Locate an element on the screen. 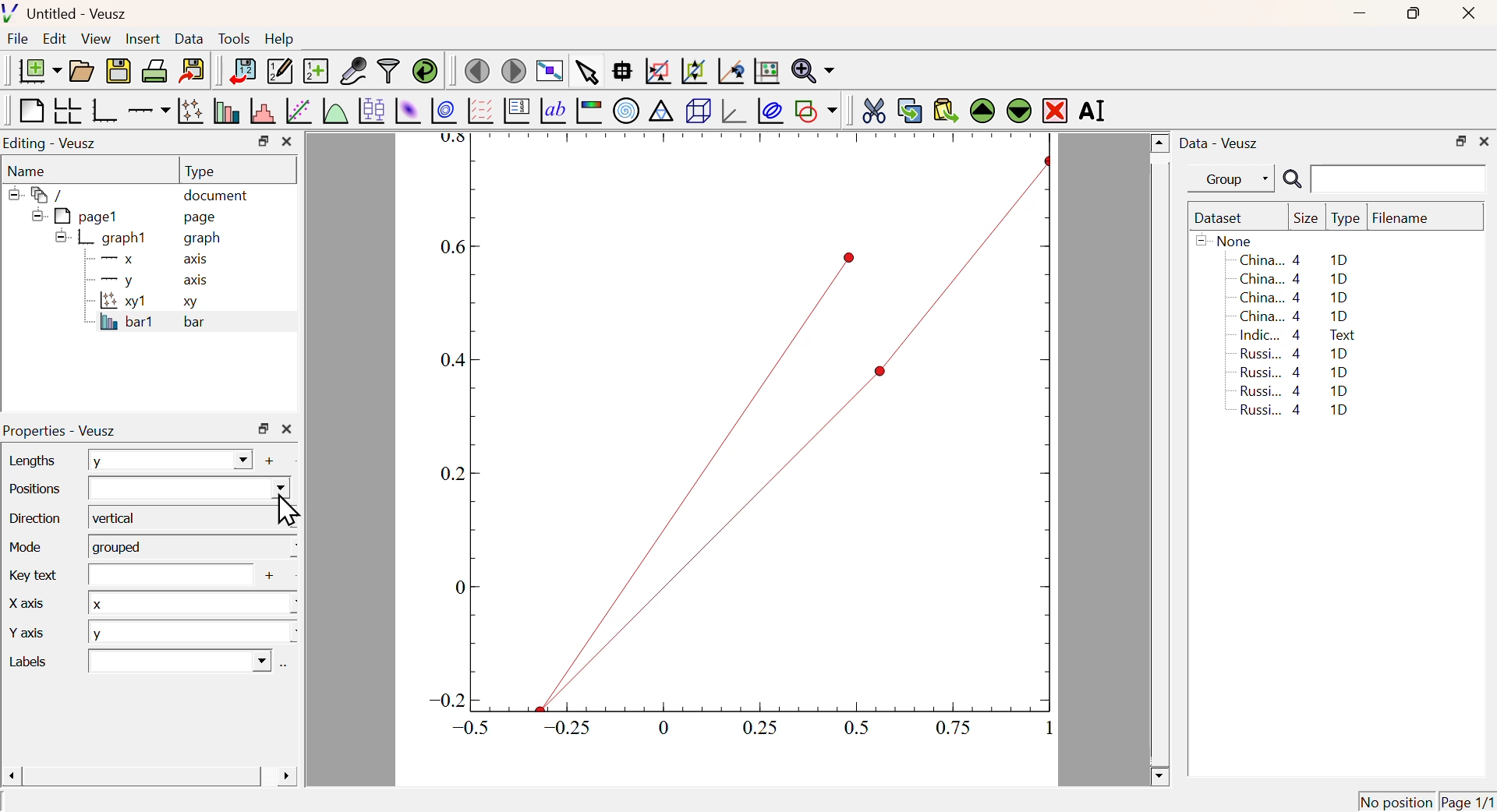 This screenshot has height=812, width=1497. Close is located at coordinates (287, 430).